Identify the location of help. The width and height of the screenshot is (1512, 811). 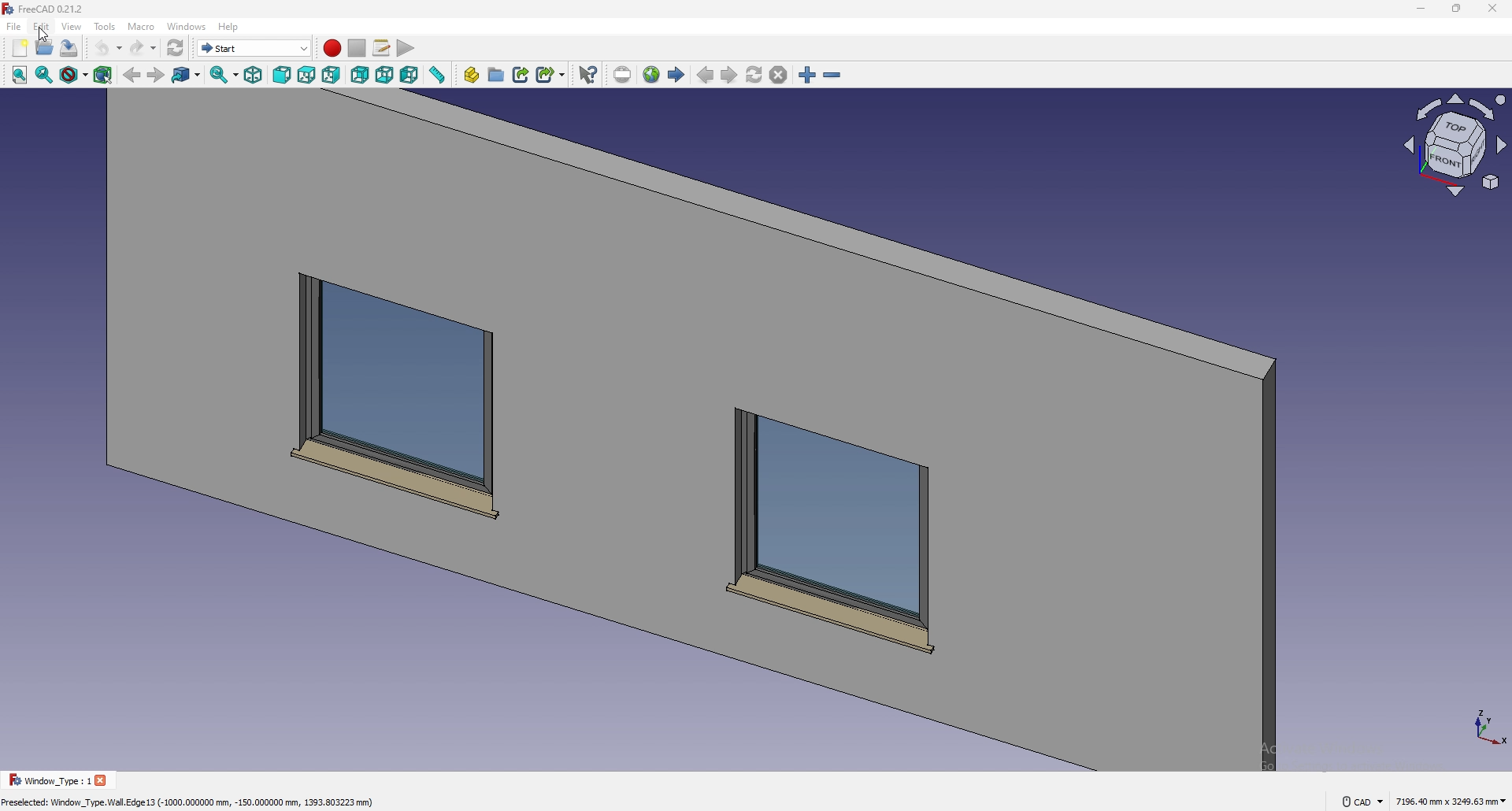
(228, 27).